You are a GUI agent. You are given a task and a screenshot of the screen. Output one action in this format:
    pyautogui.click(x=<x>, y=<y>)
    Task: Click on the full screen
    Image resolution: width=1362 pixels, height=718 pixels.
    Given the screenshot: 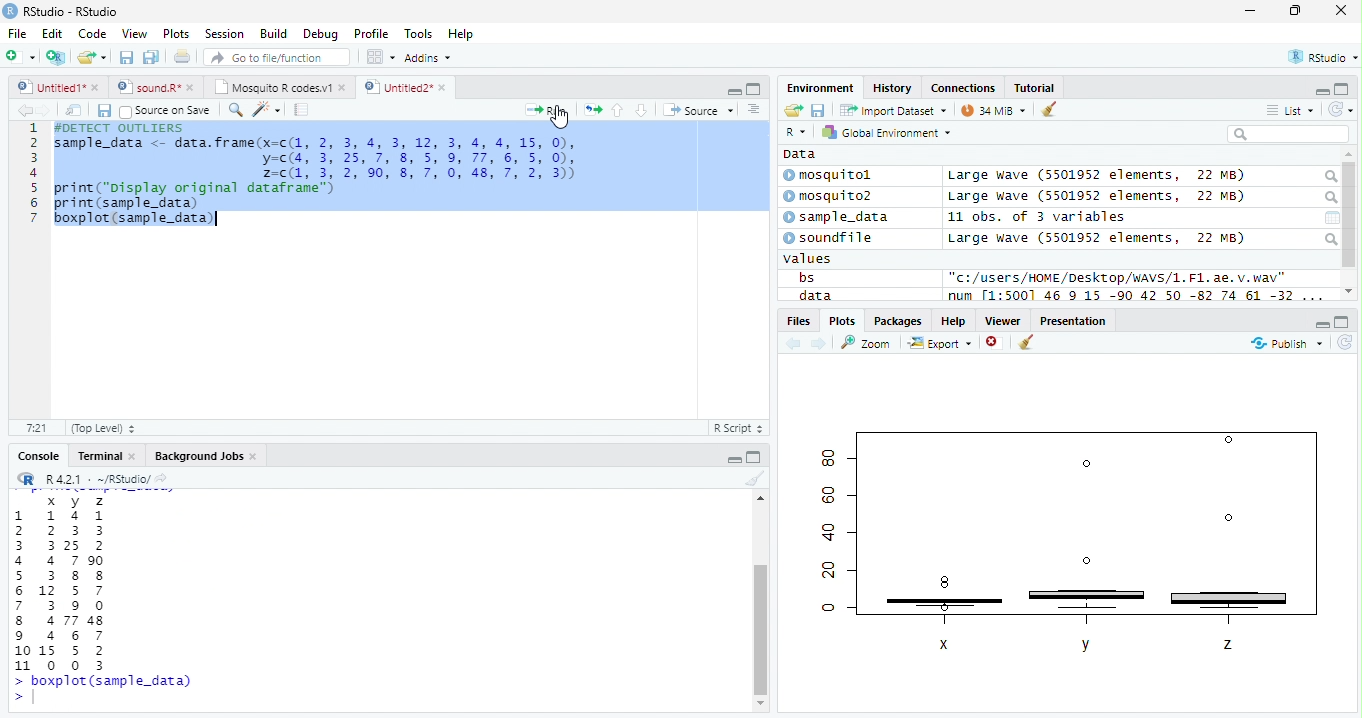 What is the action you would take?
    pyautogui.click(x=754, y=456)
    